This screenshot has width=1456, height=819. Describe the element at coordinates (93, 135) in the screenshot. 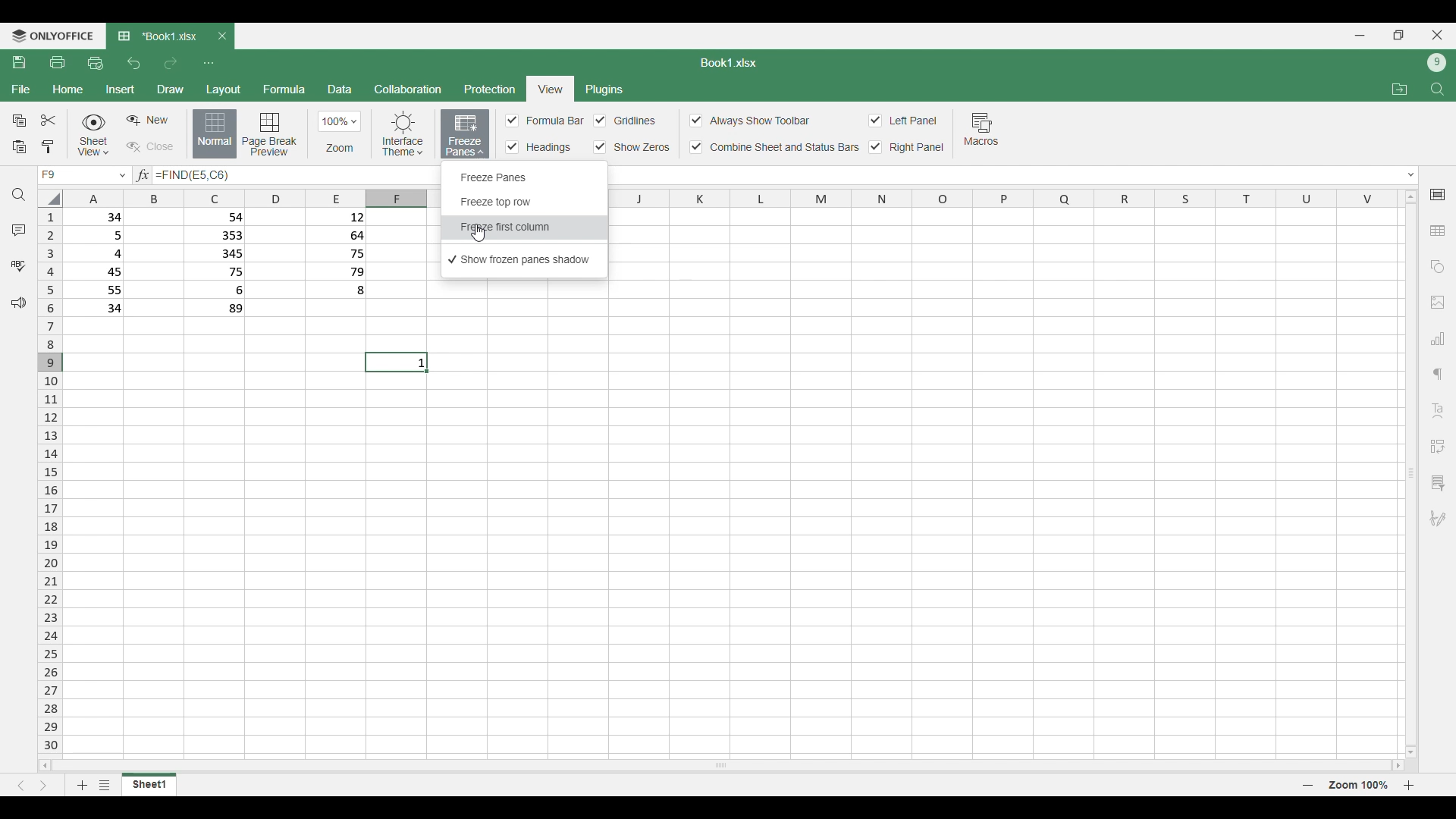

I see `Sheet view options` at that location.